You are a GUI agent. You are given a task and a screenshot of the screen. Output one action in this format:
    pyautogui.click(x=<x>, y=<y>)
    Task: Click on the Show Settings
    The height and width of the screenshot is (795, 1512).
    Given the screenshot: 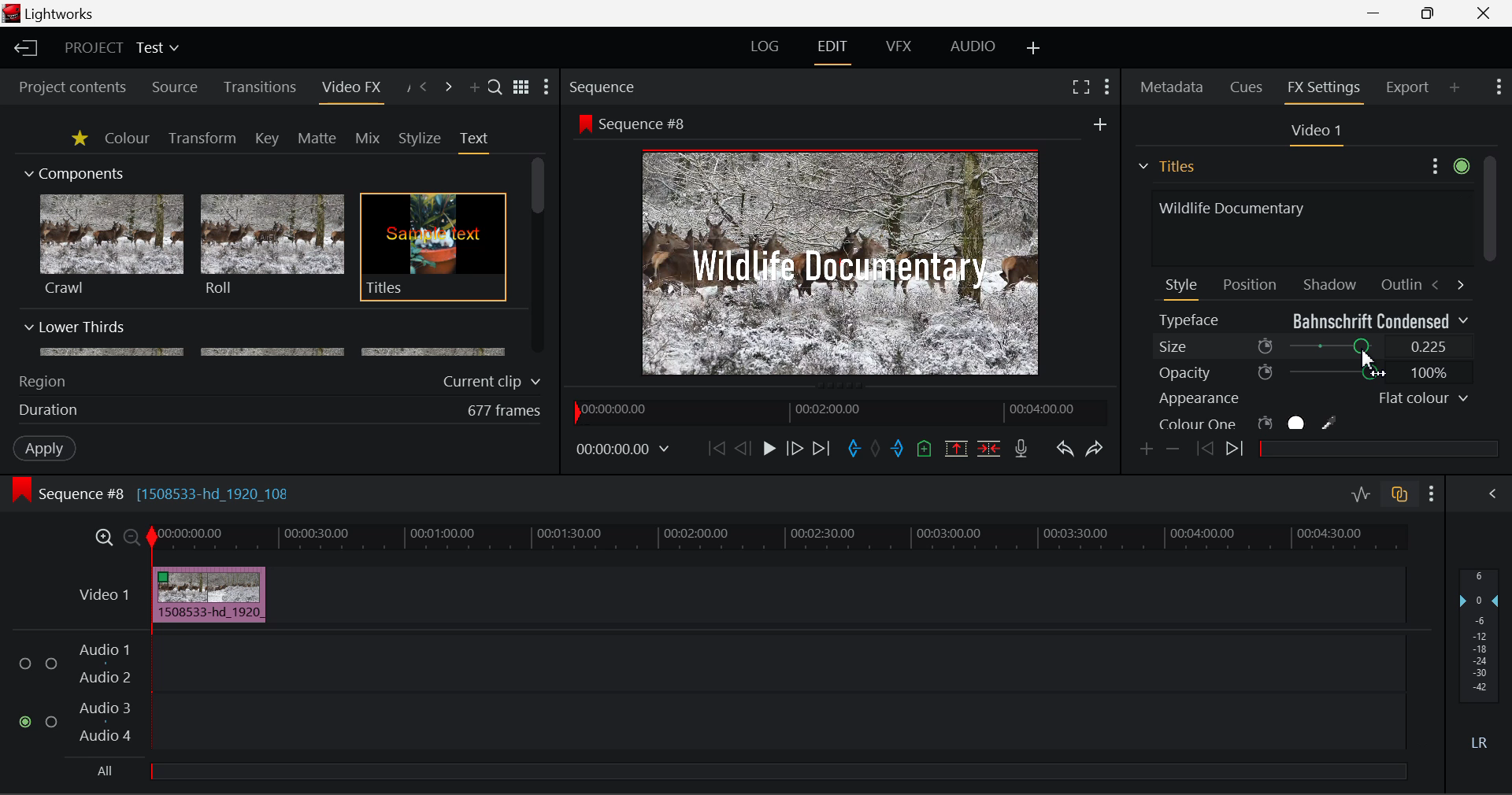 What is the action you would take?
    pyautogui.click(x=1109, y=87)
    